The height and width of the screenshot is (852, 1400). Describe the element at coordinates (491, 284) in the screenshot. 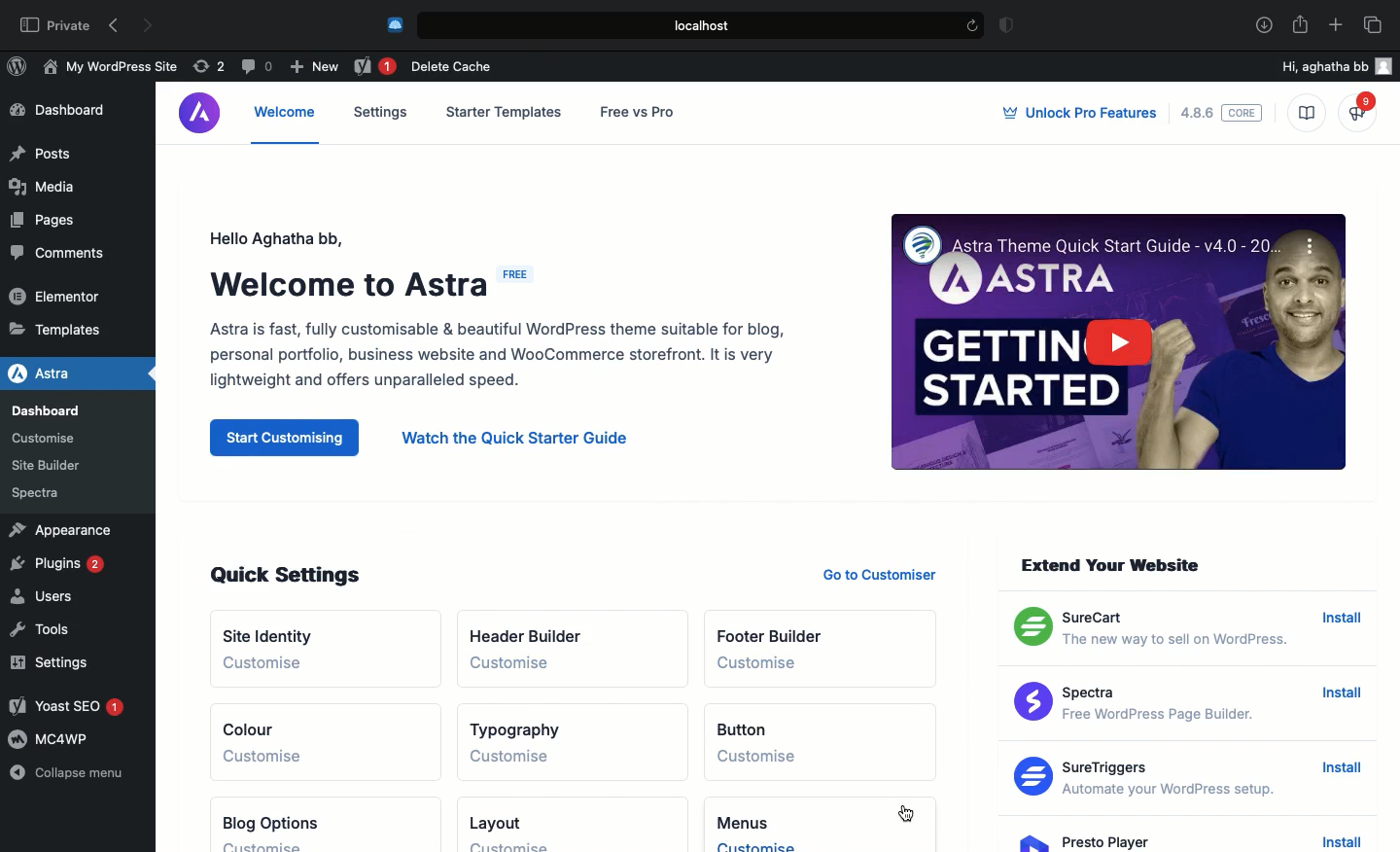

I see `Welcome to Astra (Free)` at that location.